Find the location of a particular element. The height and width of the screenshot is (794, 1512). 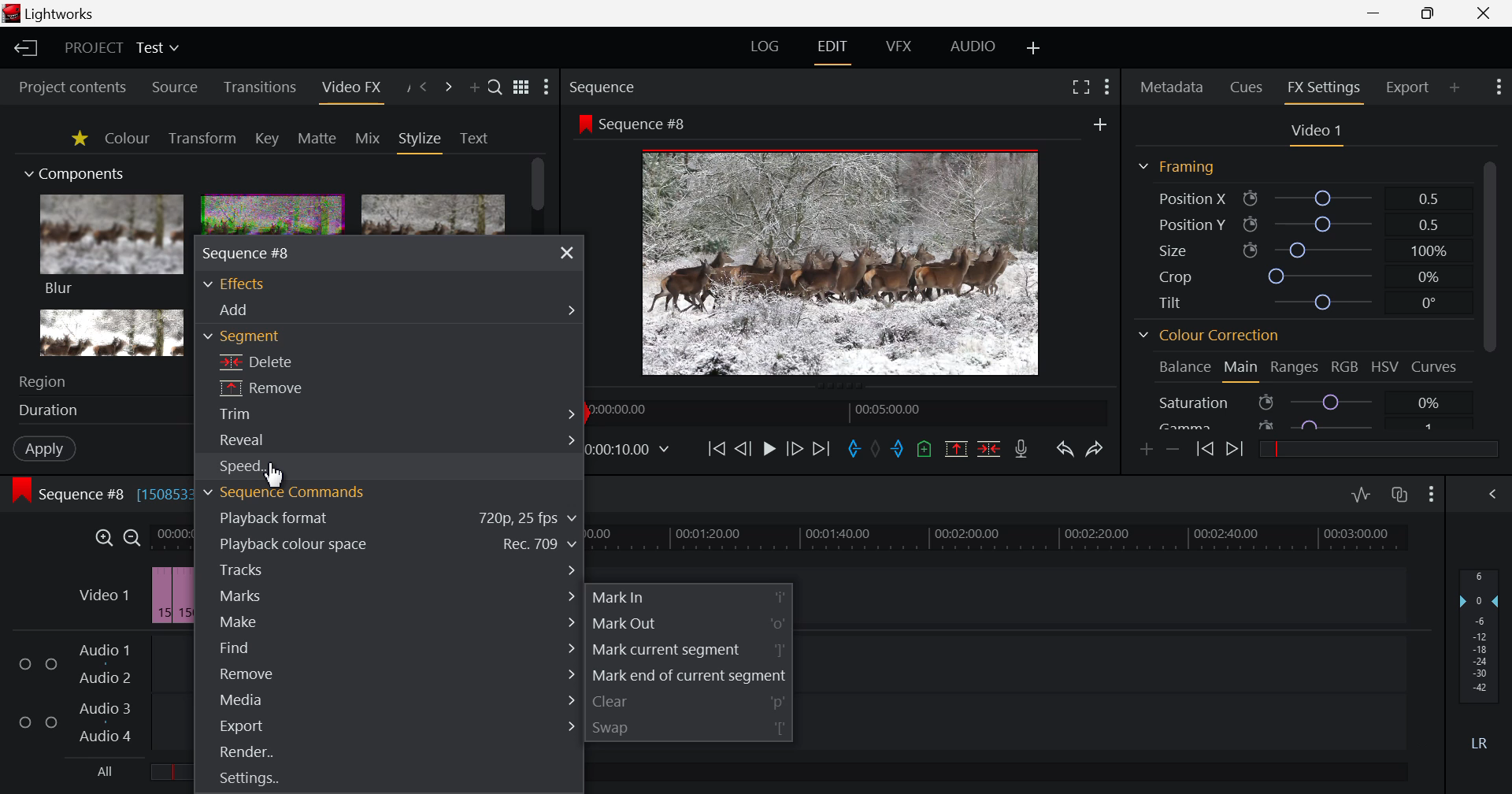

Add Layout is located at coordinates (1032, 48).